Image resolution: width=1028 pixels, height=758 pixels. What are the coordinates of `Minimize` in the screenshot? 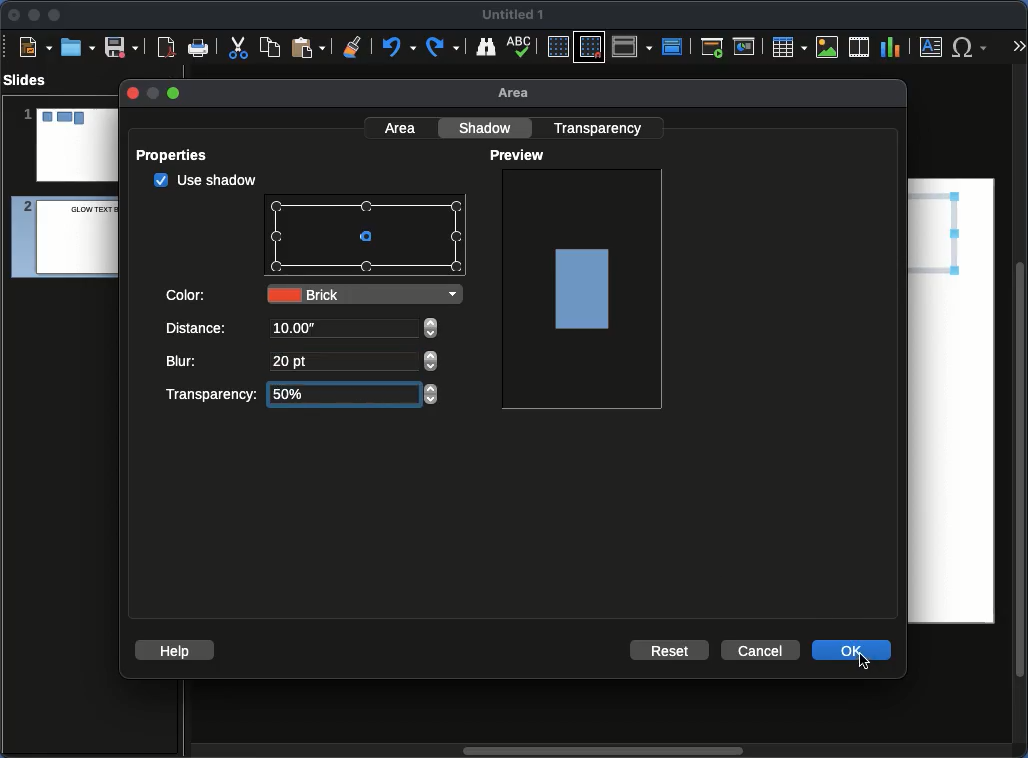 It's located at (33, 14).